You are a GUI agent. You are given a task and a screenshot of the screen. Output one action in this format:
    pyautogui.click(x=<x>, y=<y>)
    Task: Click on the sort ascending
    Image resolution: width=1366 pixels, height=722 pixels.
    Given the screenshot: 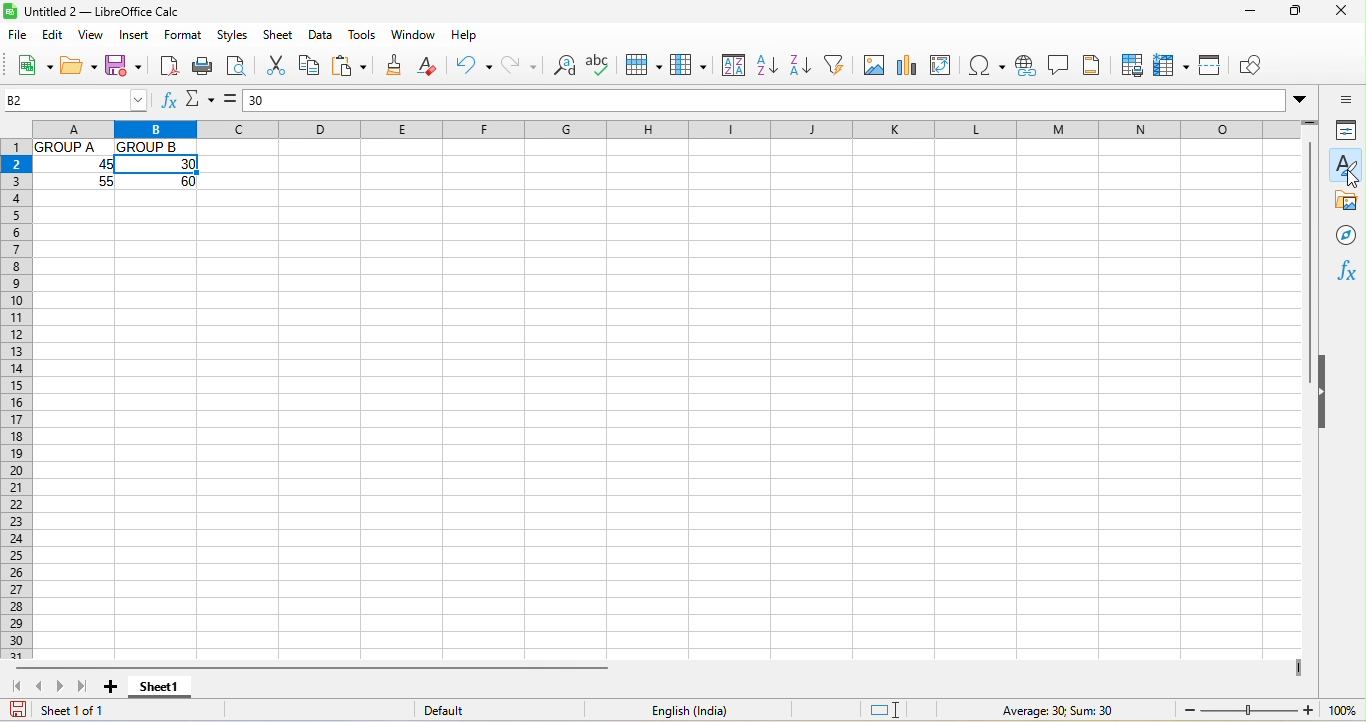 What is the action you would take?
    pyautogui.click(x=770, y=66)
    